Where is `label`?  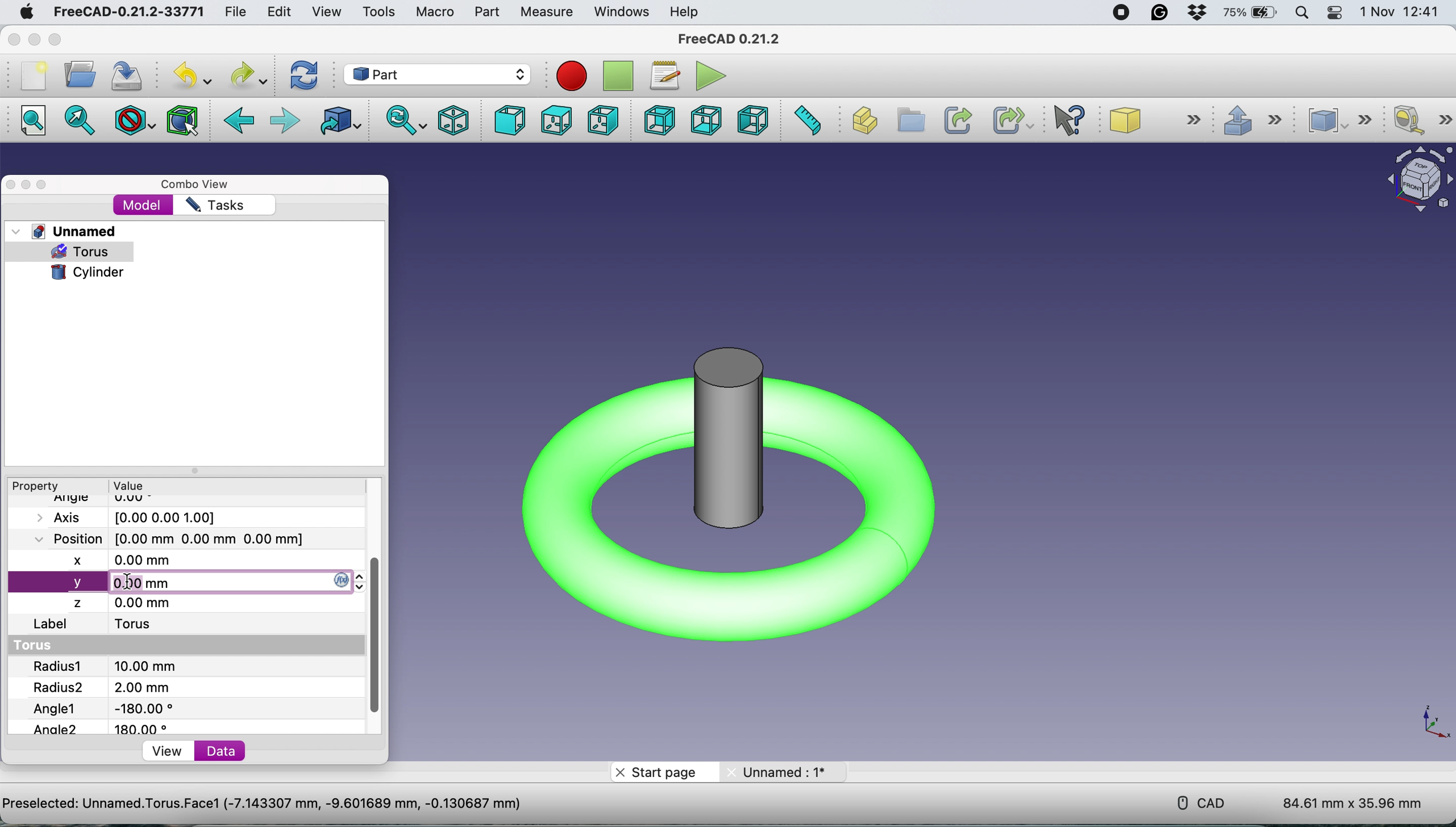
label is located at coordinates (52, 625).